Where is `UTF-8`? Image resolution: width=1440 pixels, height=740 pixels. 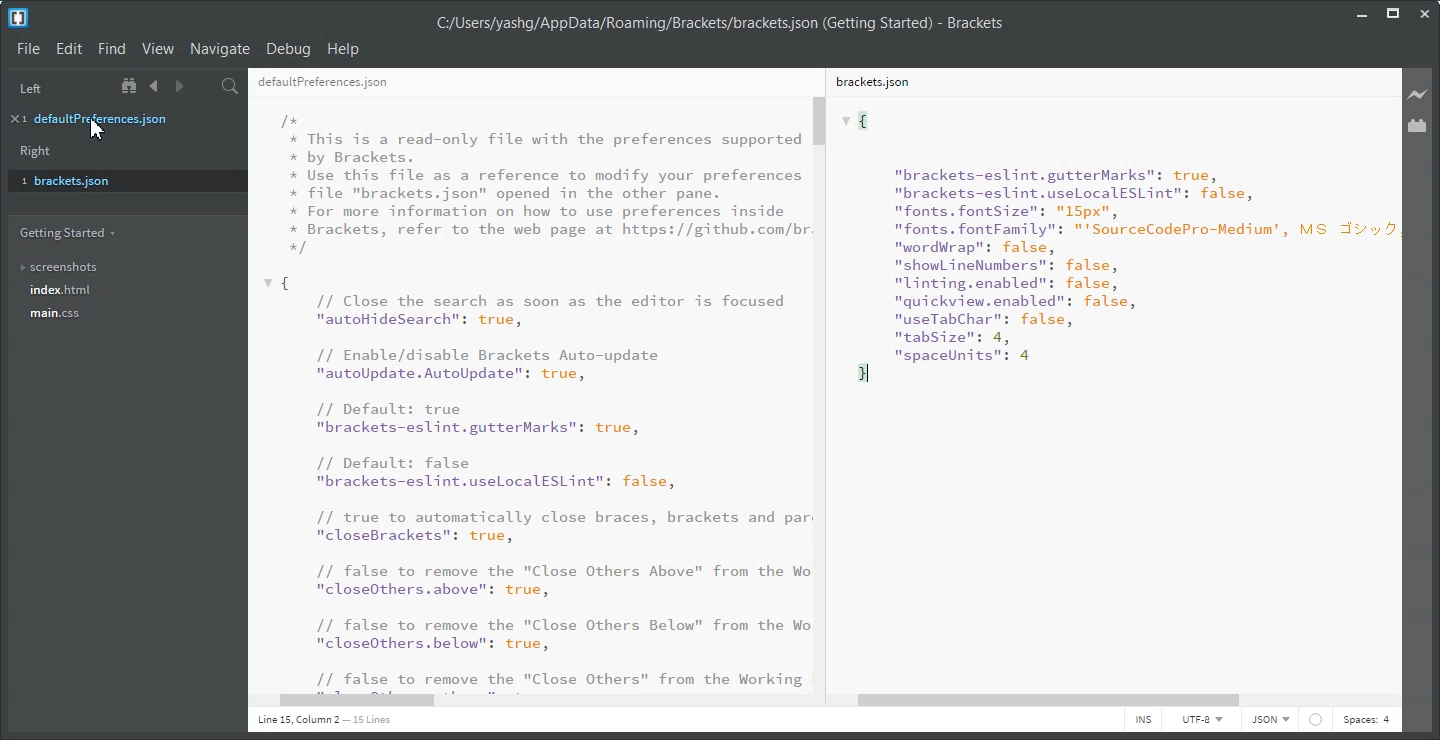
UTF-8 is located at coordinates (1201, 721).